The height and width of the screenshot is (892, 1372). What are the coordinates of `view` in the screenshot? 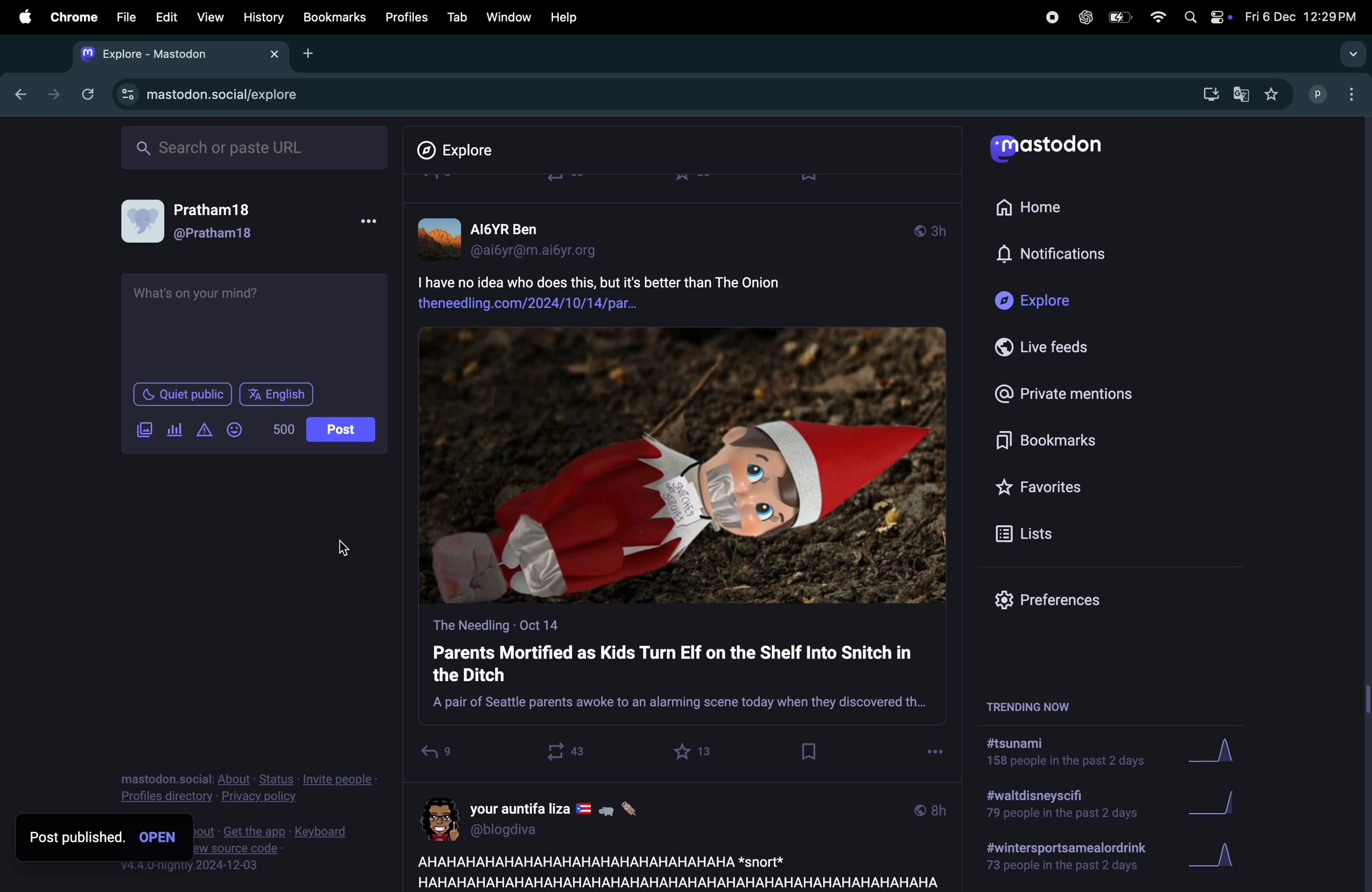 It's located at (207, 18).